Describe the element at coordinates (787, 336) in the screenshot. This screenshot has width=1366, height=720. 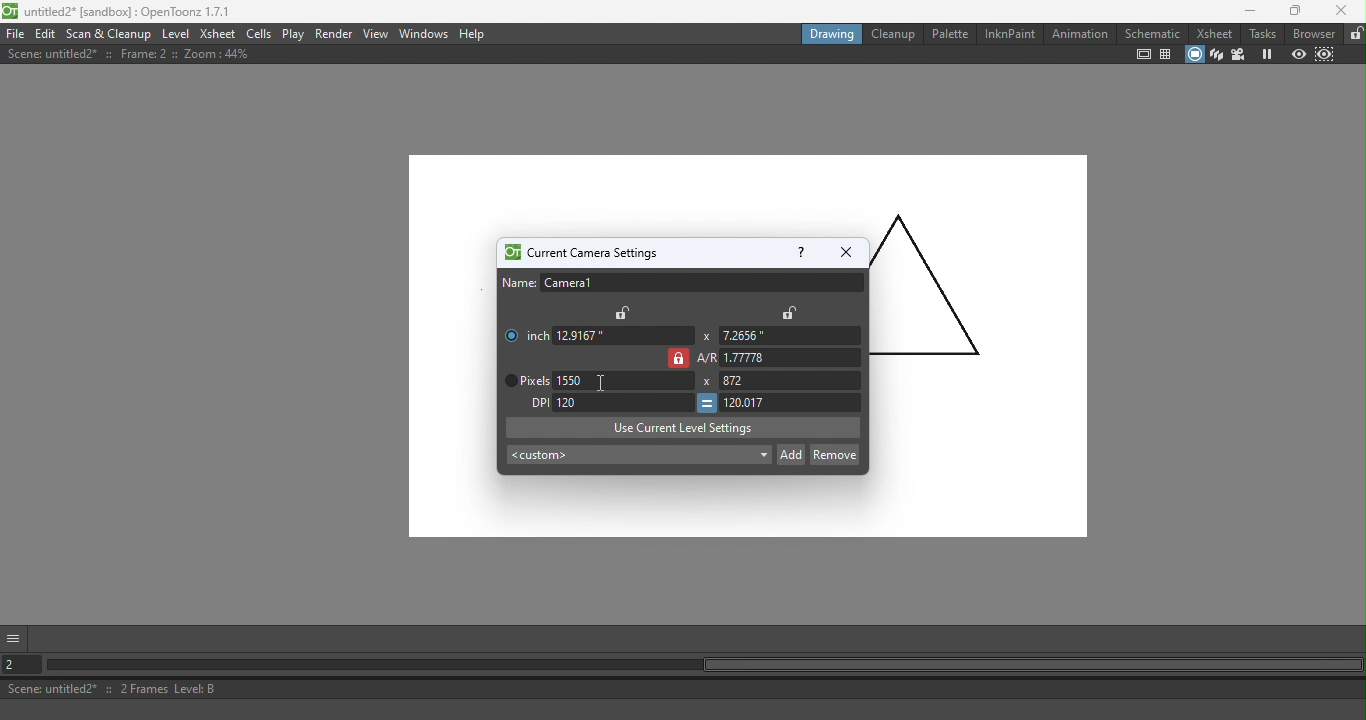
I see `Enter dimension` at that location.